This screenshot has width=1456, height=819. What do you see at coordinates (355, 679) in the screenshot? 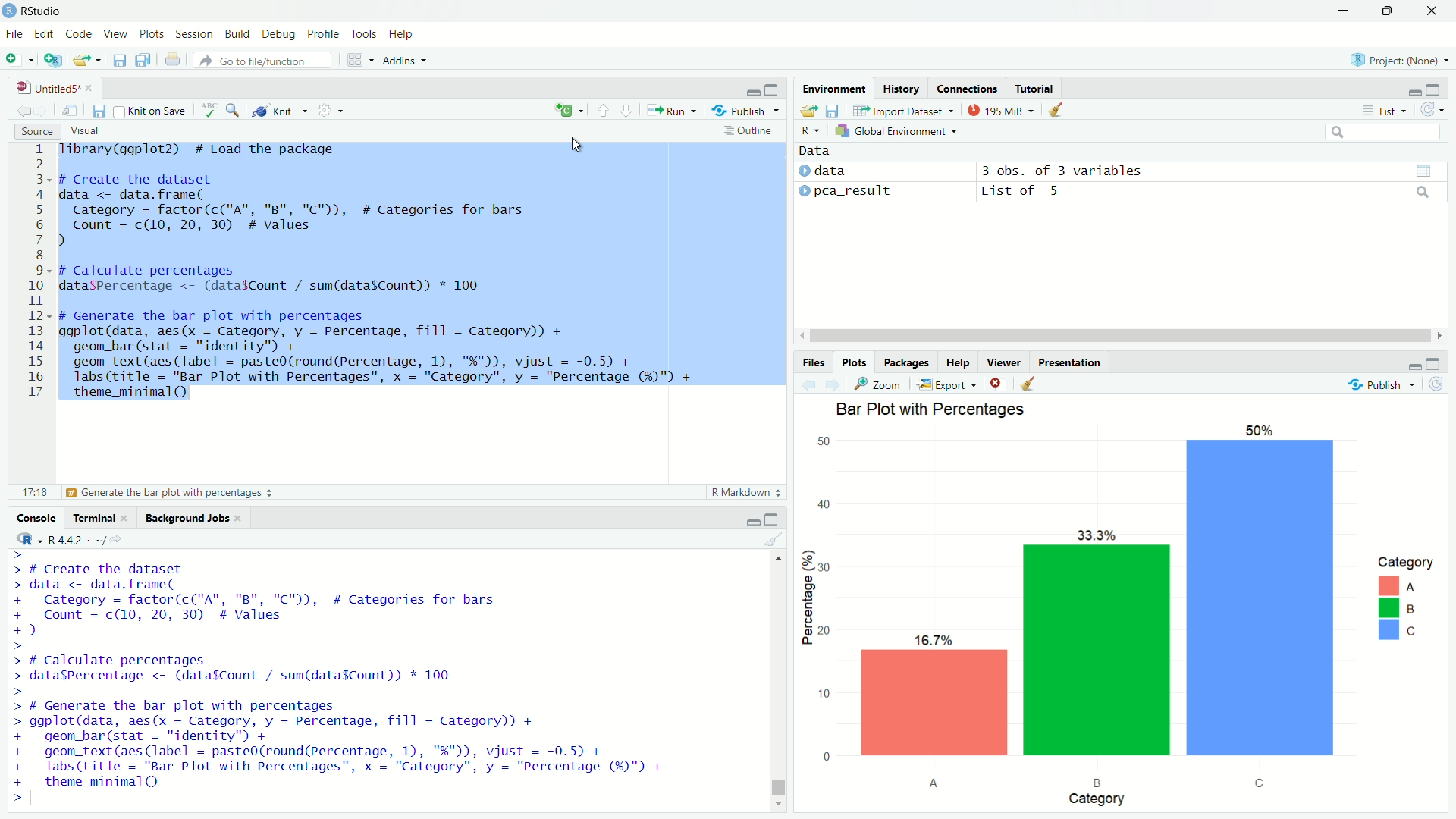
I see `code -- # Create the datasetdata <- data.frame(Category = factor(c("A", "B", "C™)), # Categories for barsCount = c(10, 20, 30) # valuesJ# Calculate percentagesdata$Percentage <- (dataSCount / sum(data$Count)) * 100# Generate the bar plot with percentagesggplot(data, aes(x = Category, y = Percentage, fill = Category)) +geom_bar (stat = "identity" +geom_text (aes (label = paste0(round(Percentage, 1), "%")), vjust = -0.5) +Tabs(title = "Bar Plot with Percentages", x = "Category", y = "Percentage (¥)") +theme_minimal QO1` at bounding box center [355, 679].